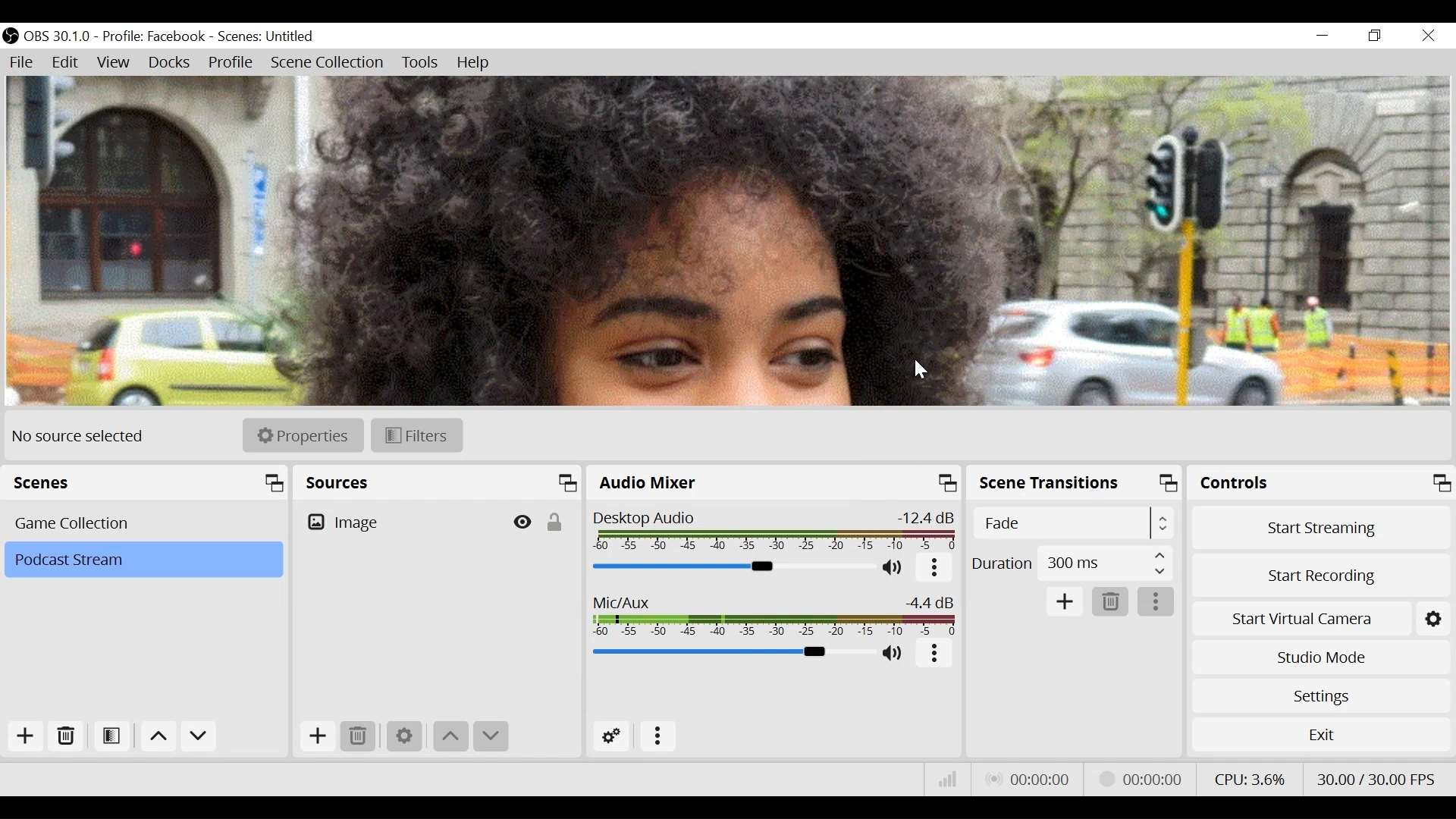 The width and height of the screenshot is (1456, 819). Describe the element at coordinates (199, 739) in the screenshot. I see `Move down` at that location.